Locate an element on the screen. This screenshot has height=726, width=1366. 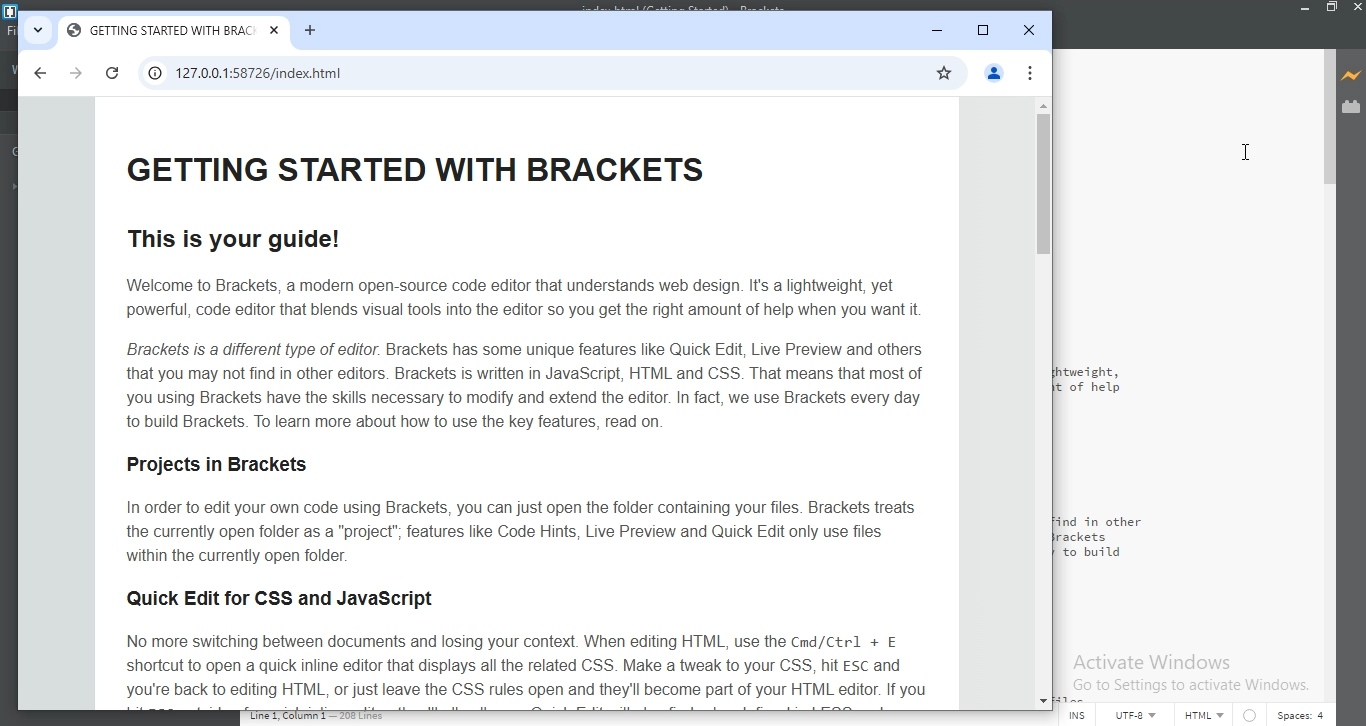
This is your guide!

Welcome to Brackets, a modern open-source code editor that understands web design. It's a lightweight, yet
powerful, code editor that blends visual tools into the editor so you get the right amount of help when you want it
Brackets is a different type of editor. Brackets has some unique features lie Quick Edit, Live Preview and others
that you may not find in other editors. Brackets is written in JavaScript, HTML and CSS. That means that most of
you using Brackets have the skills necessary to modify and extend the editor. In fact, we use Brackets every day
to build Brackets. To learn more about how to use the key features, read on

Projects in Brackets

In order to edit your own code using Brackets, you can just open the folder containing your files. Brackets treats
the currently open folder as a “project”; features like Code Hints, Live Preview and Quick Edit only use files
within the currently open folder.

Quick Edit for CSS and JavaScript

No more switching between documents and losing your context. When editing HTML, use the Cmd/Ctrl + E
shortcut to open a quick inline editor that displays all the related CSS. Make a tweak to your CSS, hit Es and
you're back to editing HTML, or just leave the CSS rules open and they'll become part of your HTML editor. If you is located at coordinates (523, 423).